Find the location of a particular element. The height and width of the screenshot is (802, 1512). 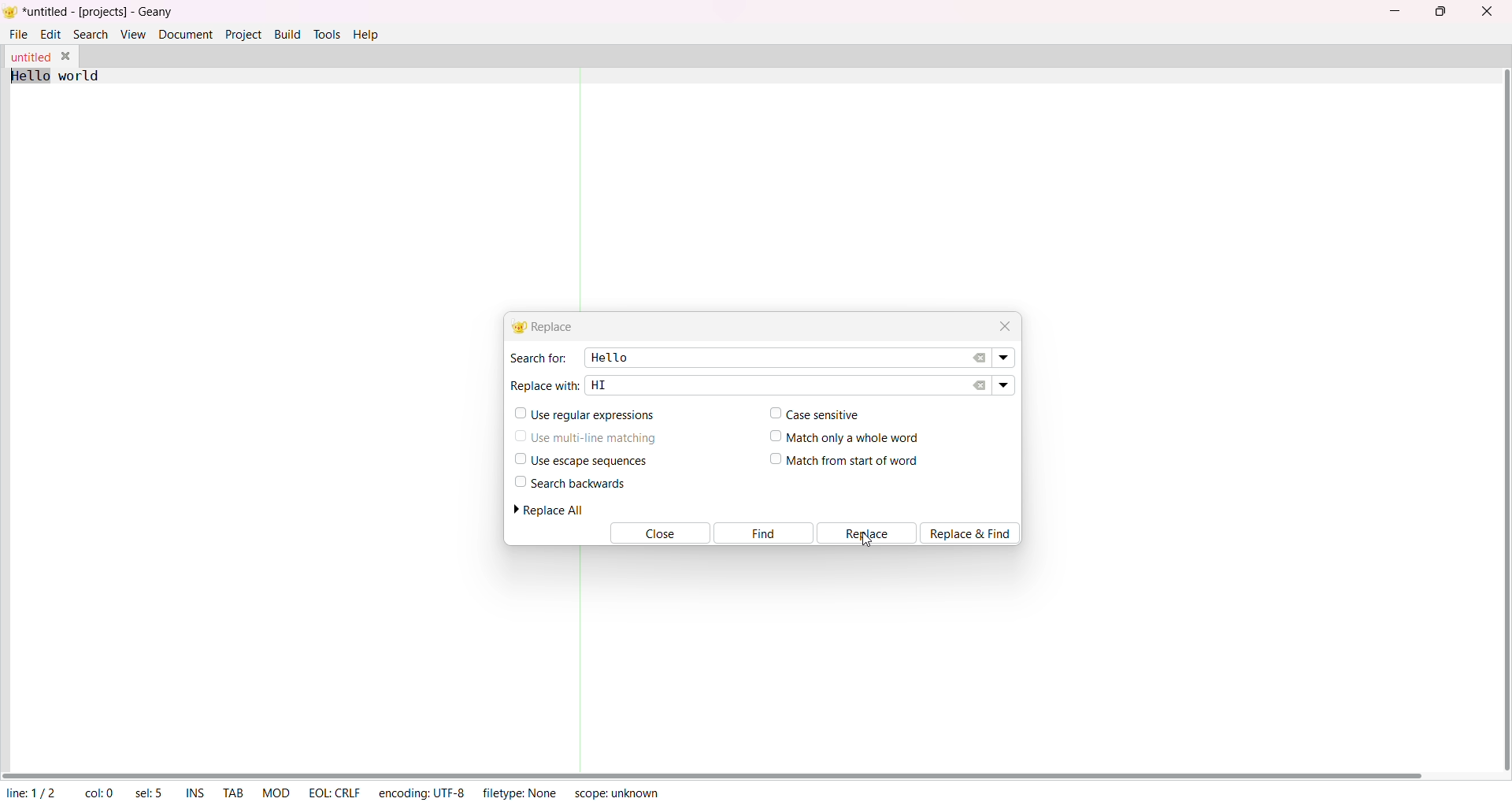

minimize is located at coordinates (1399, 9).